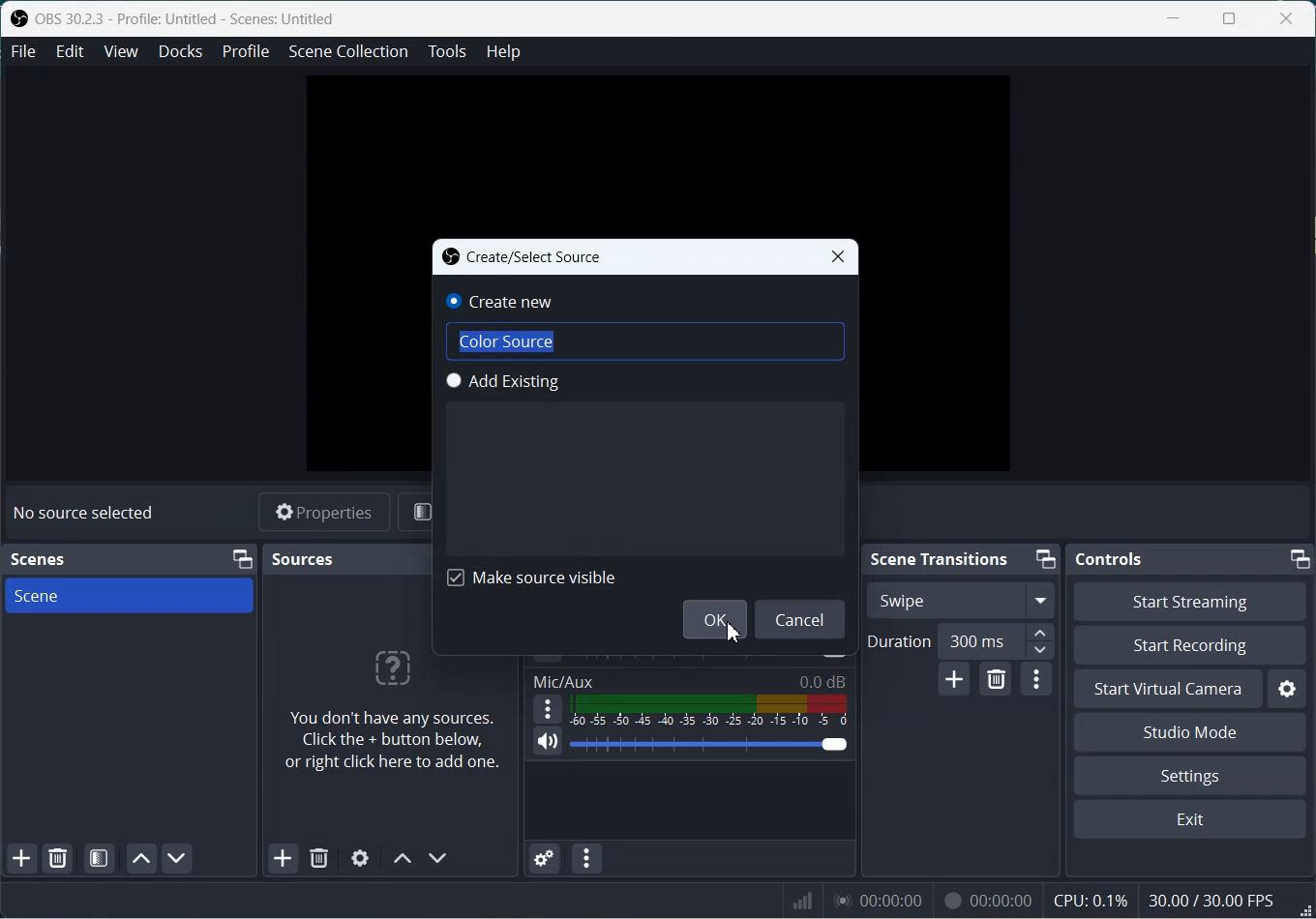  What do you see at coordinates (585, 858) in the screenshot?
I see `Audio mixer menu` at bounding box center [585, 858].